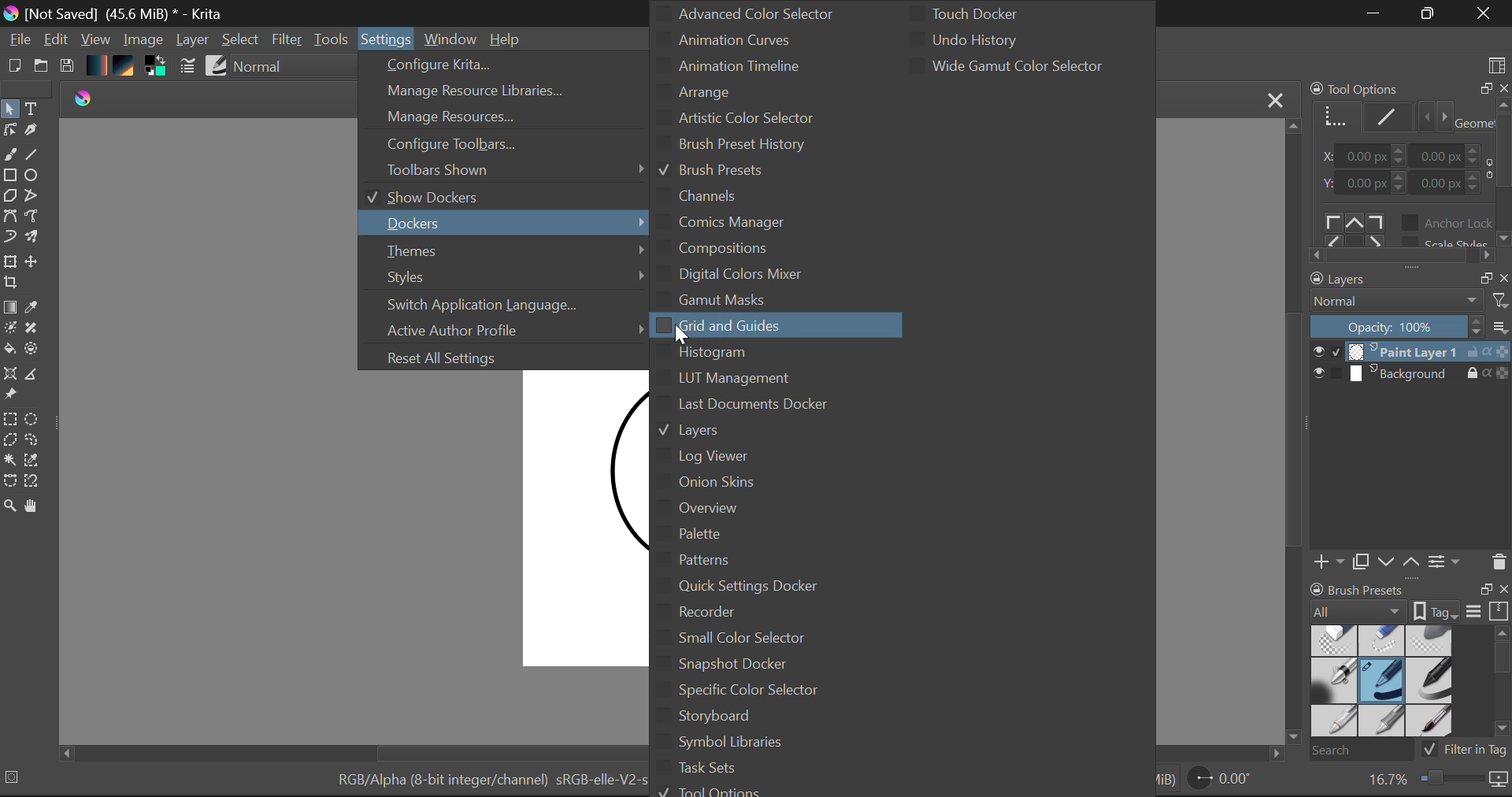 The image size is (1512, 797). I want to click on Freehand Selection, so click(34, 440).